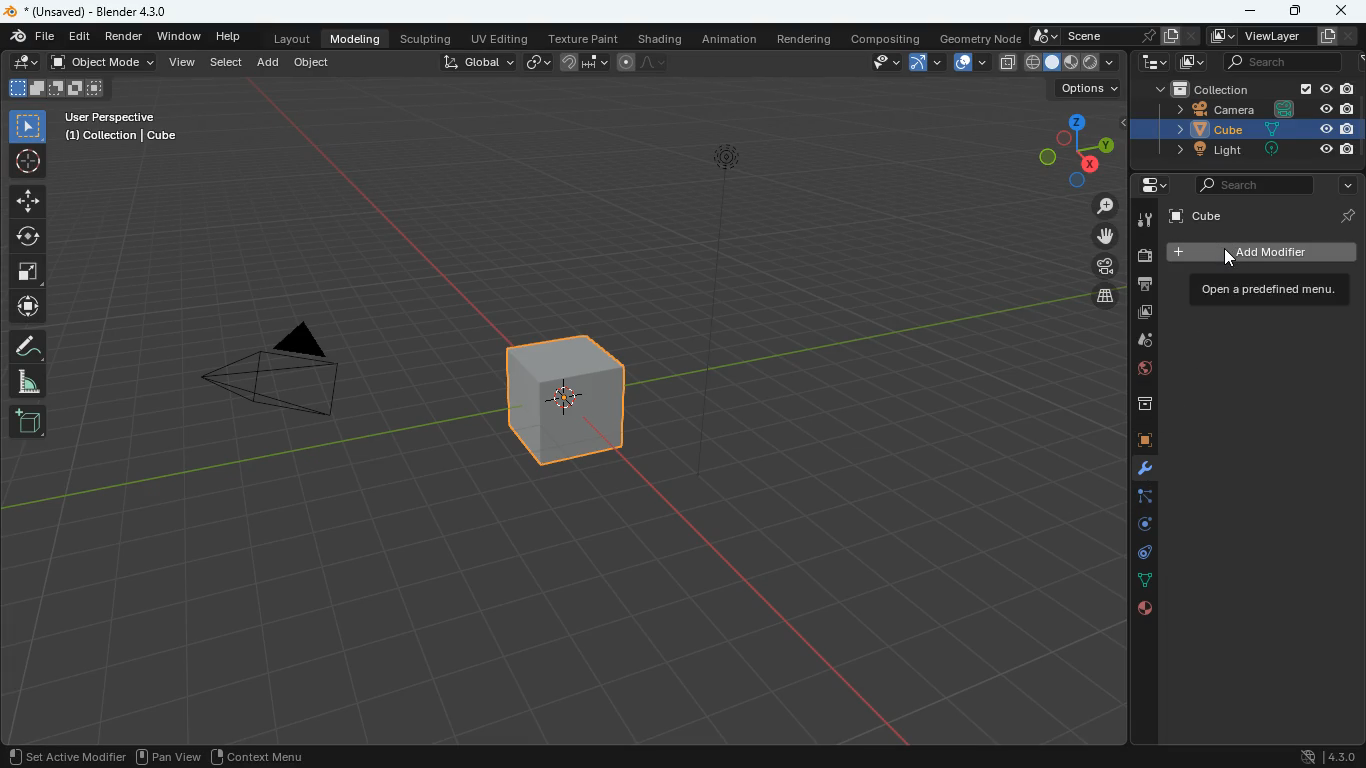 The width and height of the screenshot is (1366, 768). I want to click on , so click(1286, 108).